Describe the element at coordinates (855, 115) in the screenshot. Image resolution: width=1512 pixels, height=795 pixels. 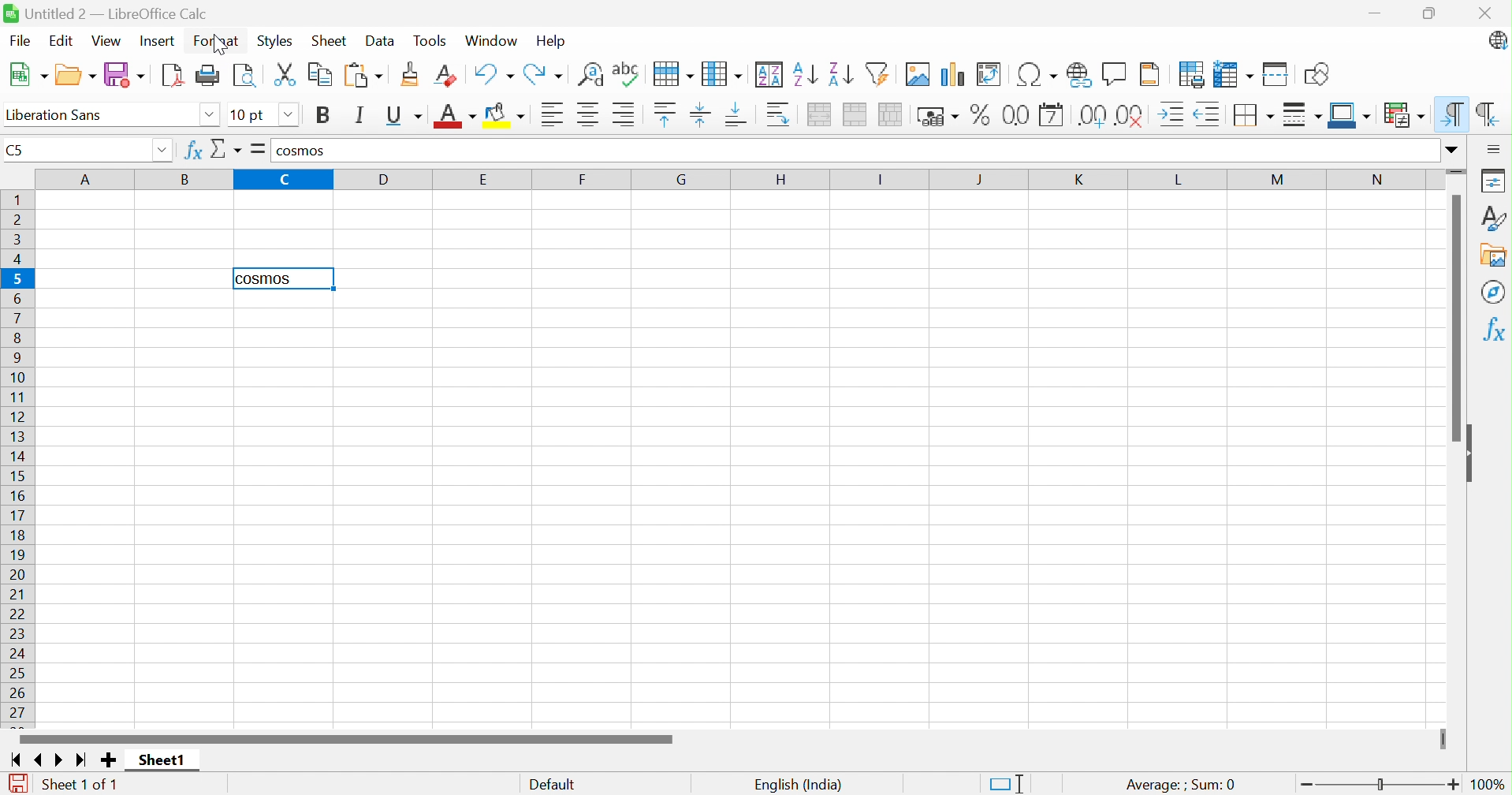
I see `Merge cells` at that location.